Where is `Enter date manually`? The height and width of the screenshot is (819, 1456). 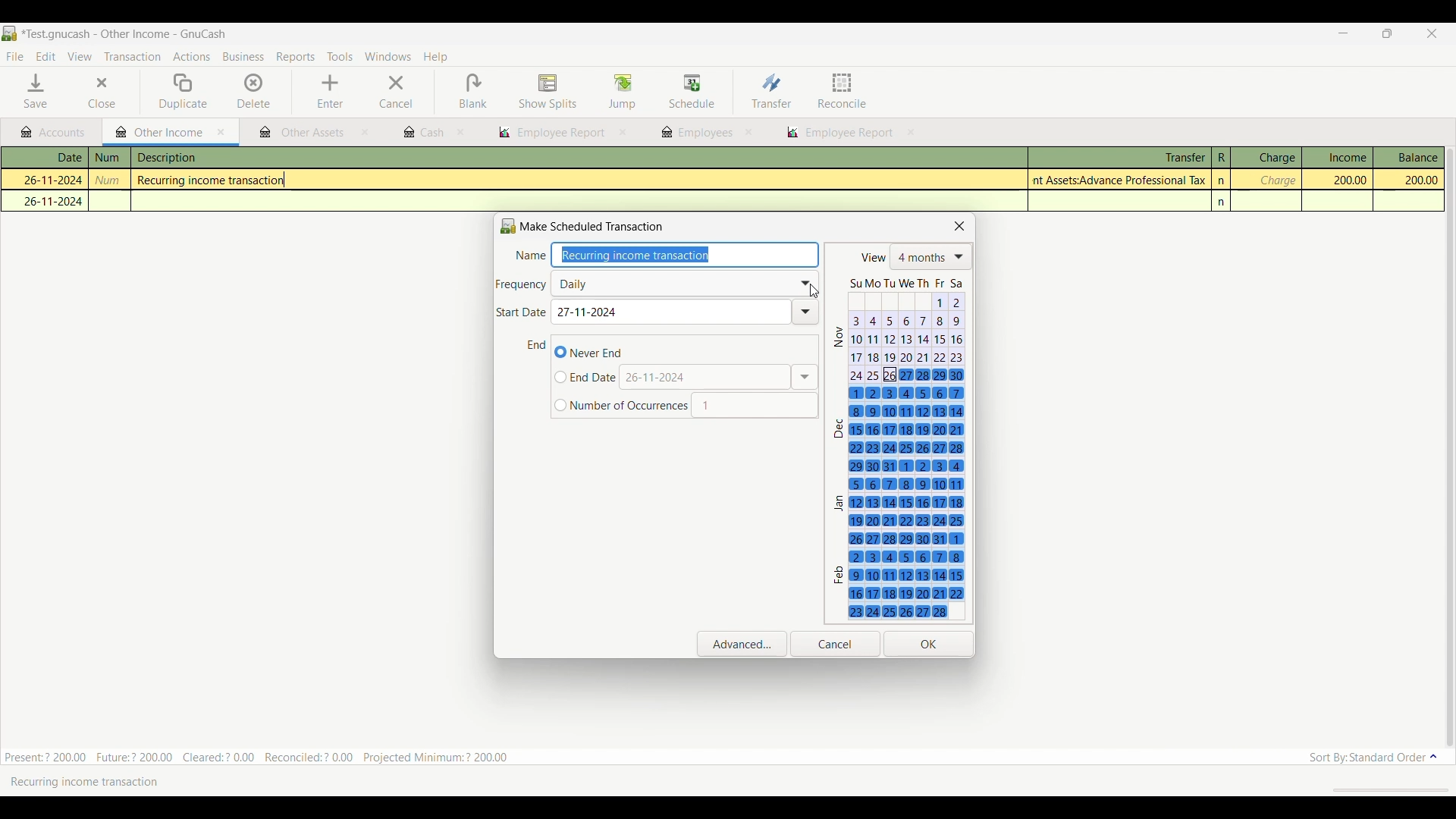
Enter date manually is located at coordinates (706, 377).